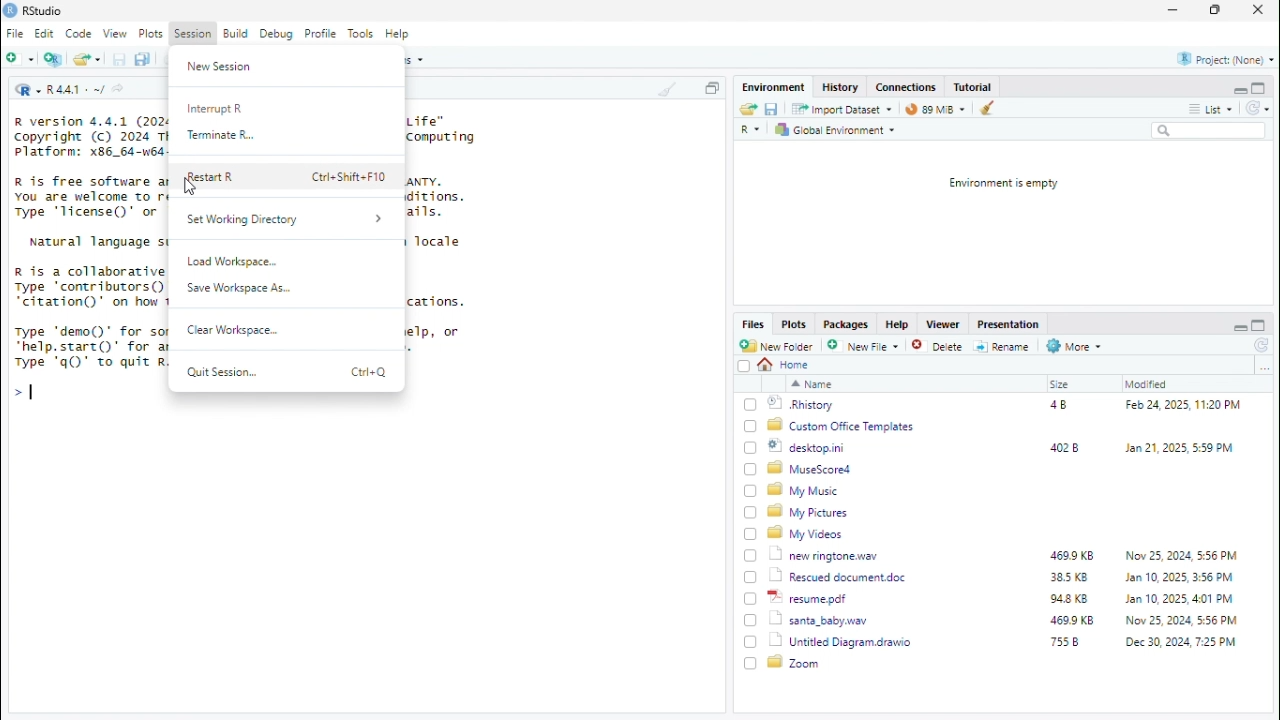 Image resolution: width=1280 pixels, height=720 pixels. What do you see at coordinates (45, 33) in the screenshot?
I see `Edit` at bounding box center [45, 33].